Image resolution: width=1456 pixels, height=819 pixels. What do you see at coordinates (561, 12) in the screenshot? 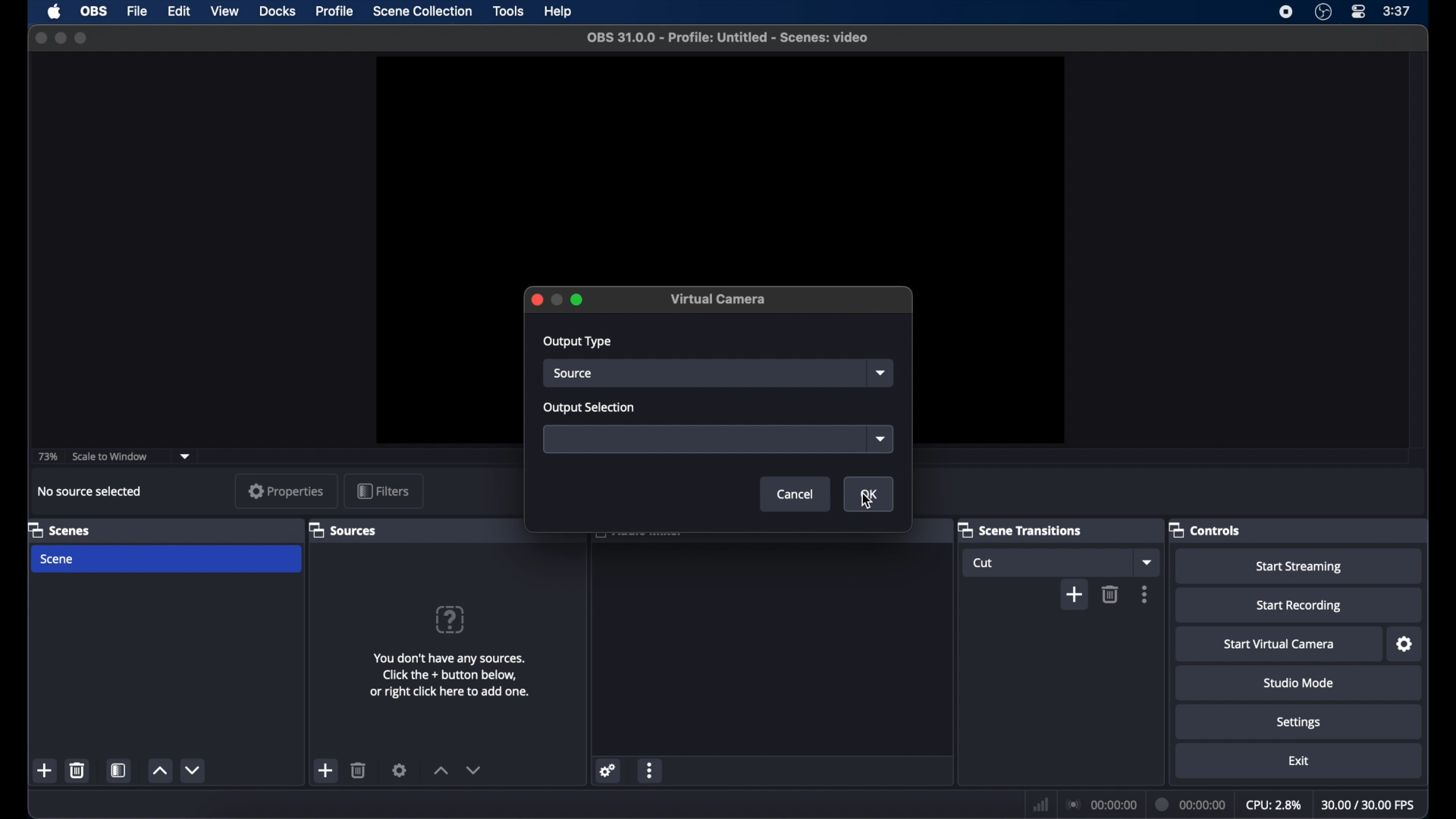
I see `help` at bounding box center [561, 12].